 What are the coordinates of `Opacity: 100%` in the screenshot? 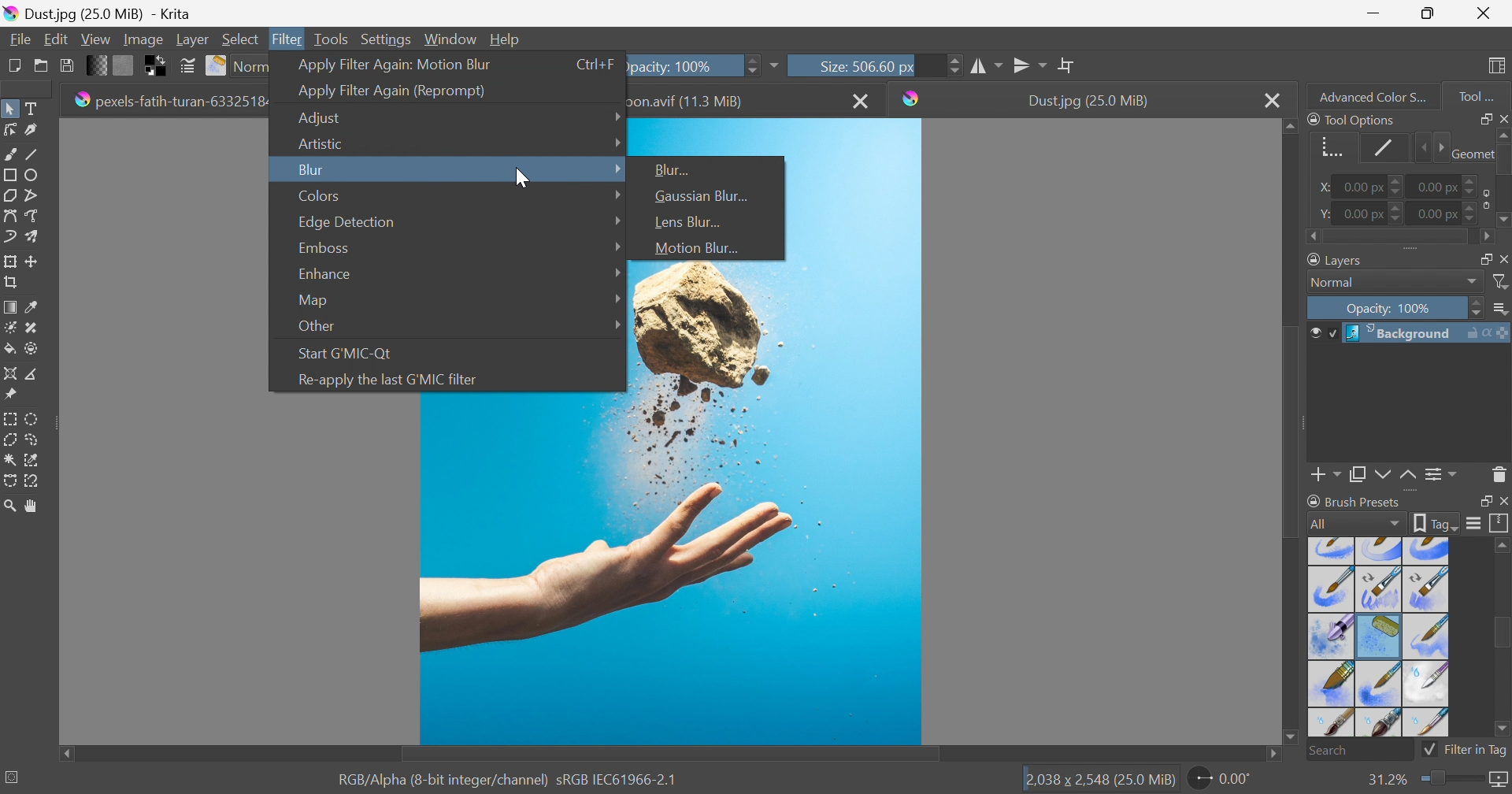 It's located at (683, 64).